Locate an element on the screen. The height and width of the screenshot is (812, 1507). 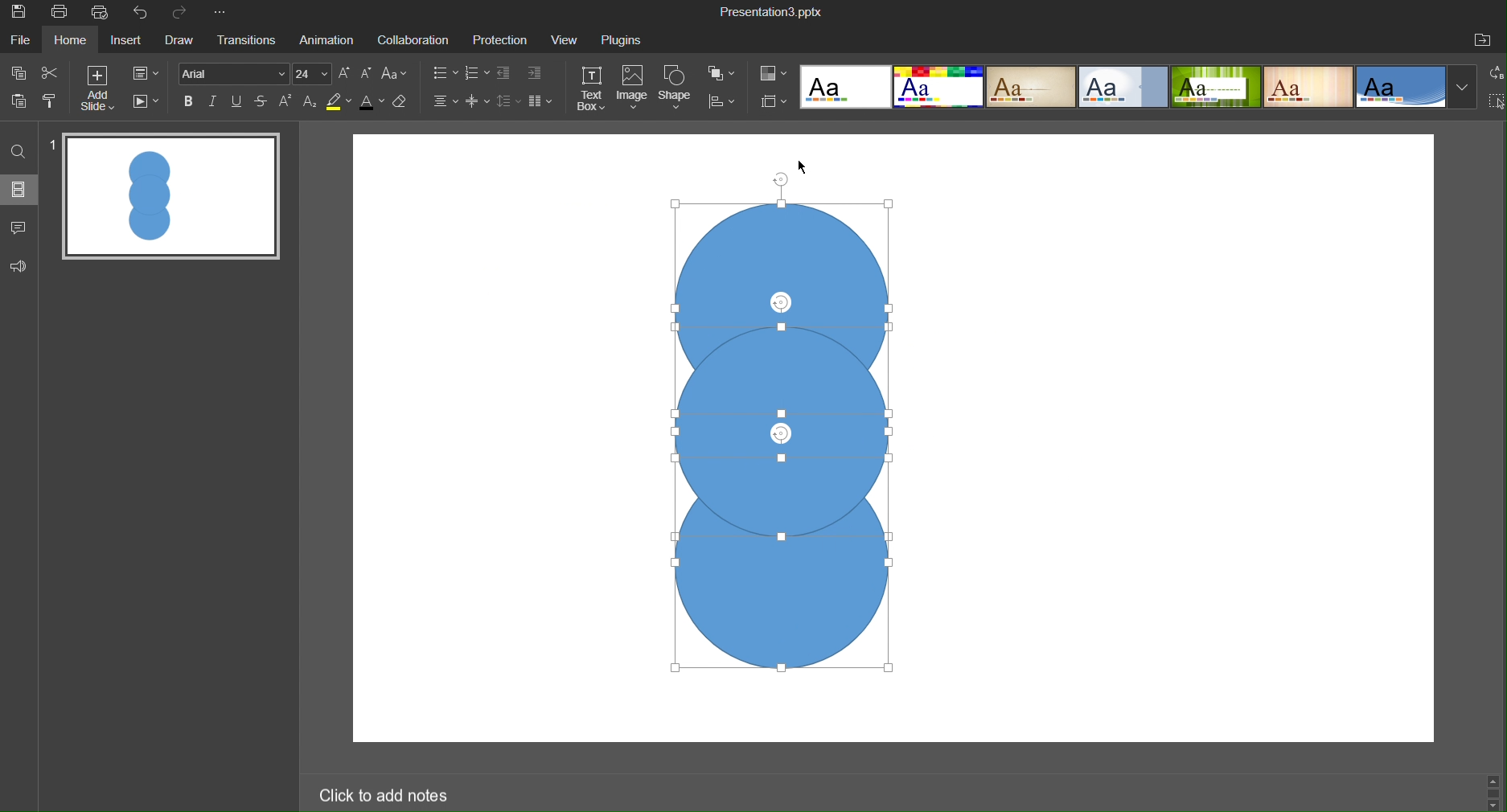
Slide is located at coordinates (18, 193).